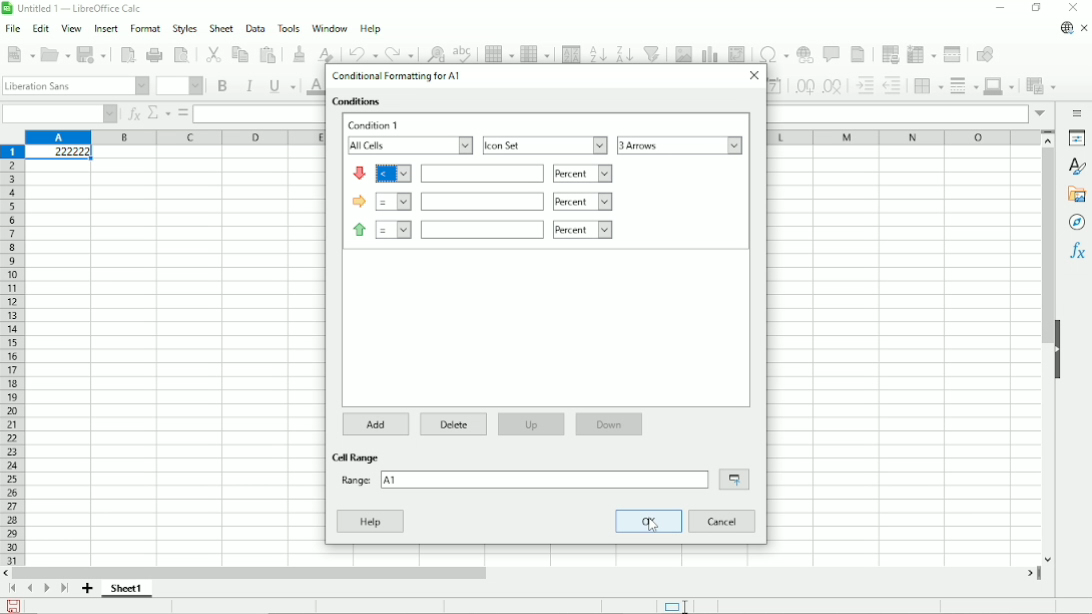  I want to click on Clear direct formatting, so click(325, 53).